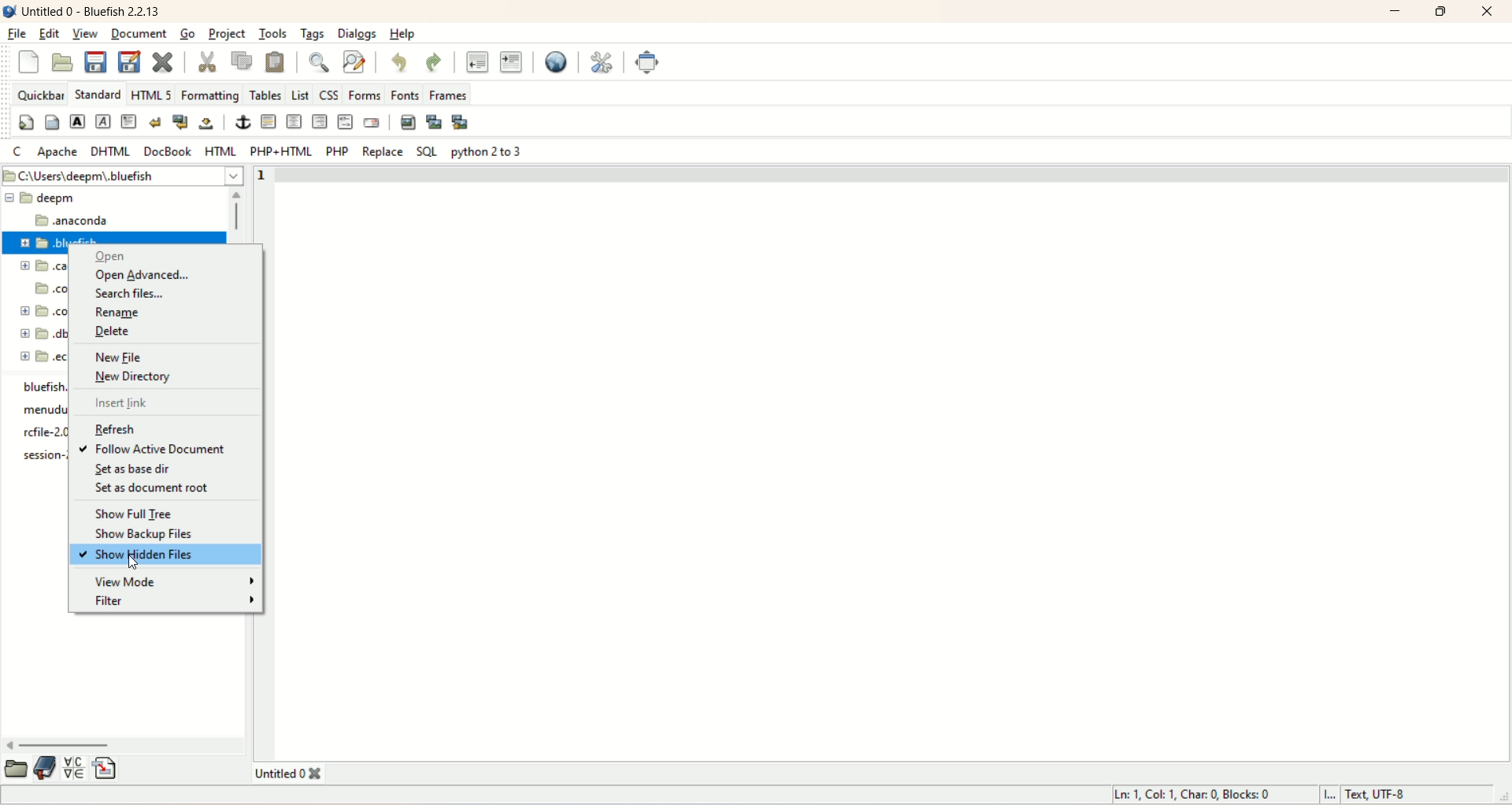 The image size is (1512, 805). What do you see at coordinates (18, 767) in the screenshot?
I see `open` at bounding box center [18, 767].